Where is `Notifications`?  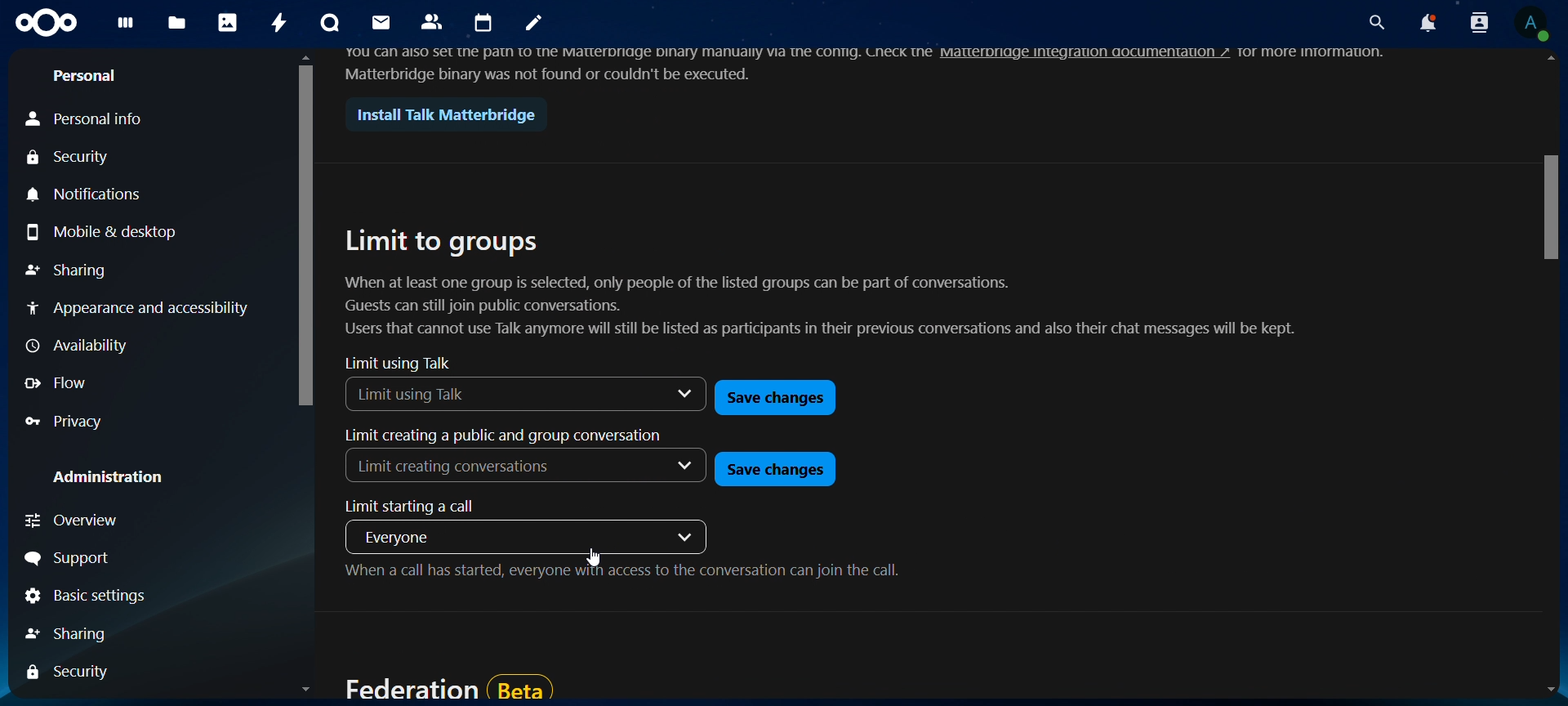 Notifications is located at coordinates (135, 197).